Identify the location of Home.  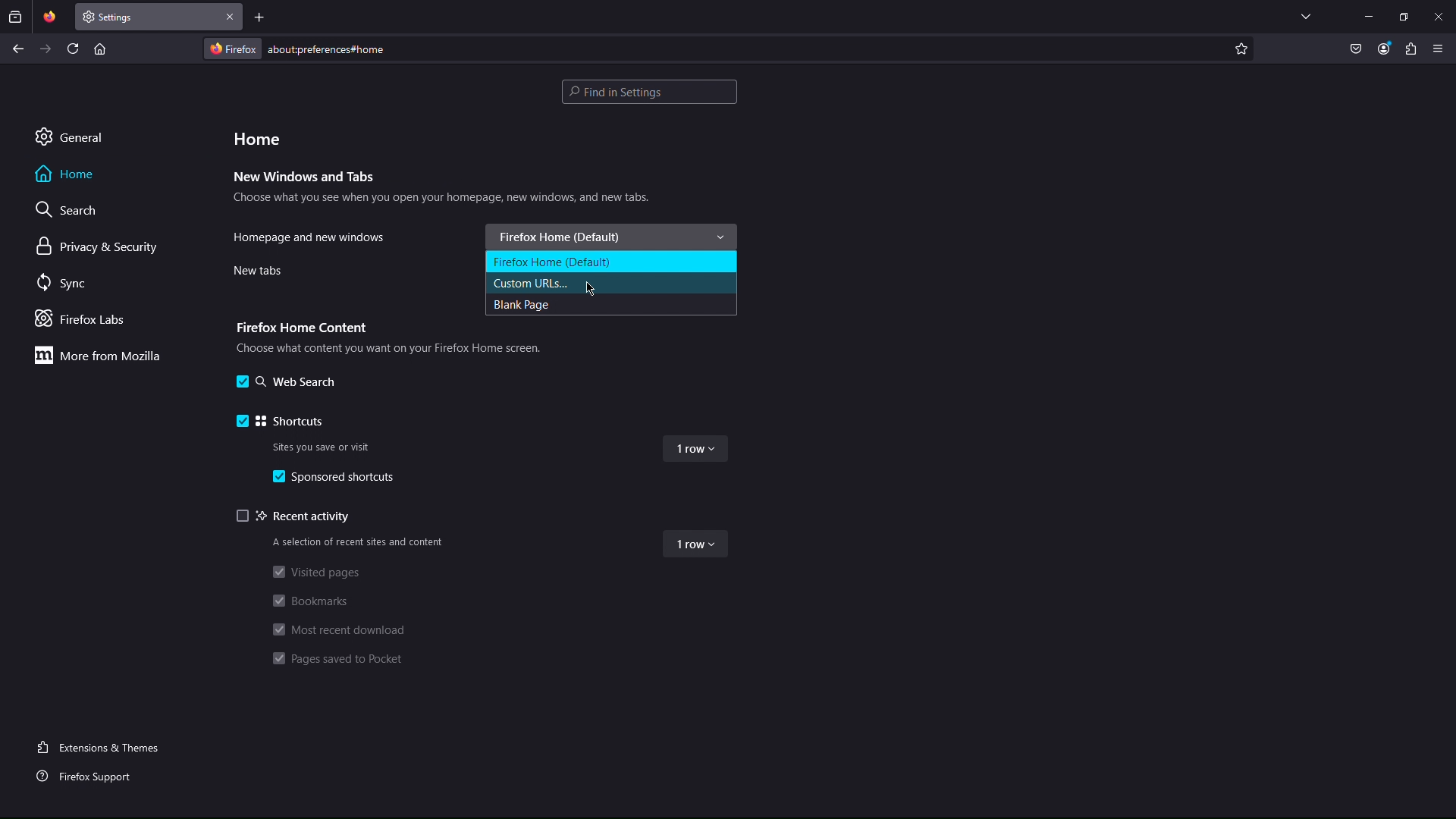
(66, 174).